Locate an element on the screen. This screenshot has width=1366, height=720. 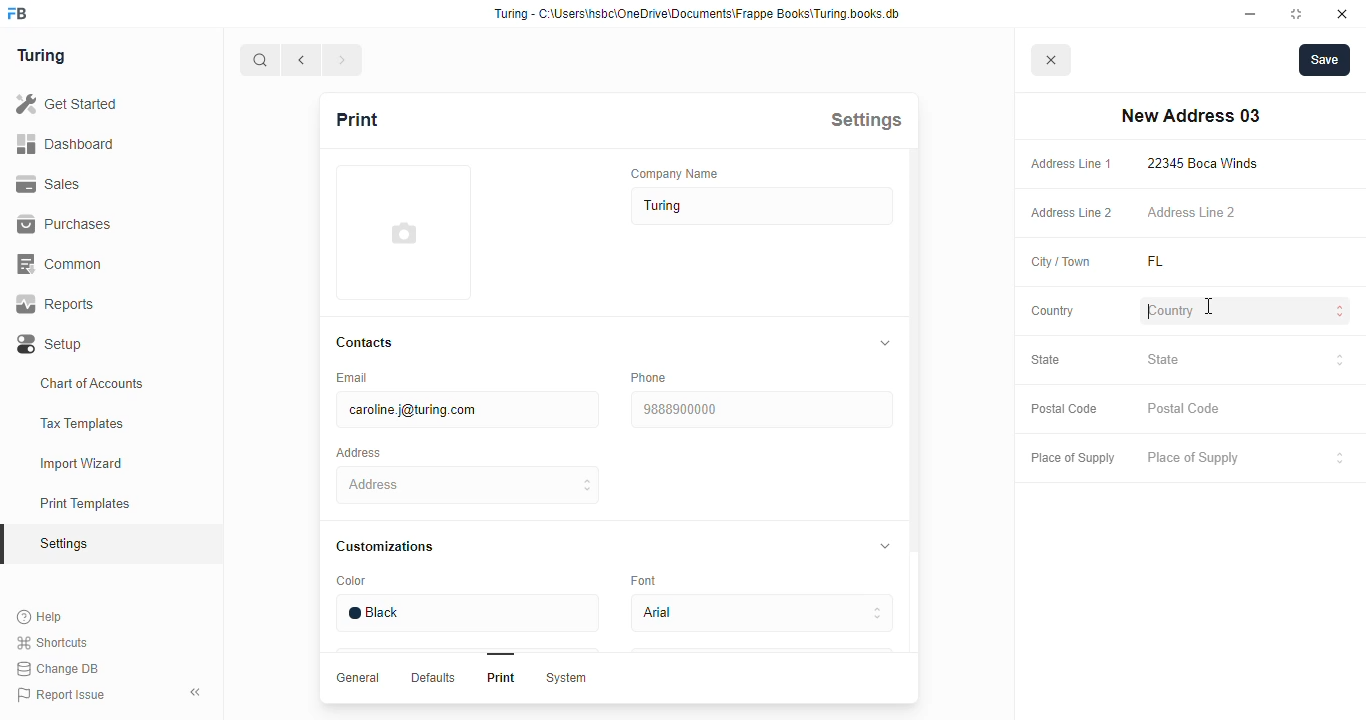
postal code is located at coordinates (1063, 409).